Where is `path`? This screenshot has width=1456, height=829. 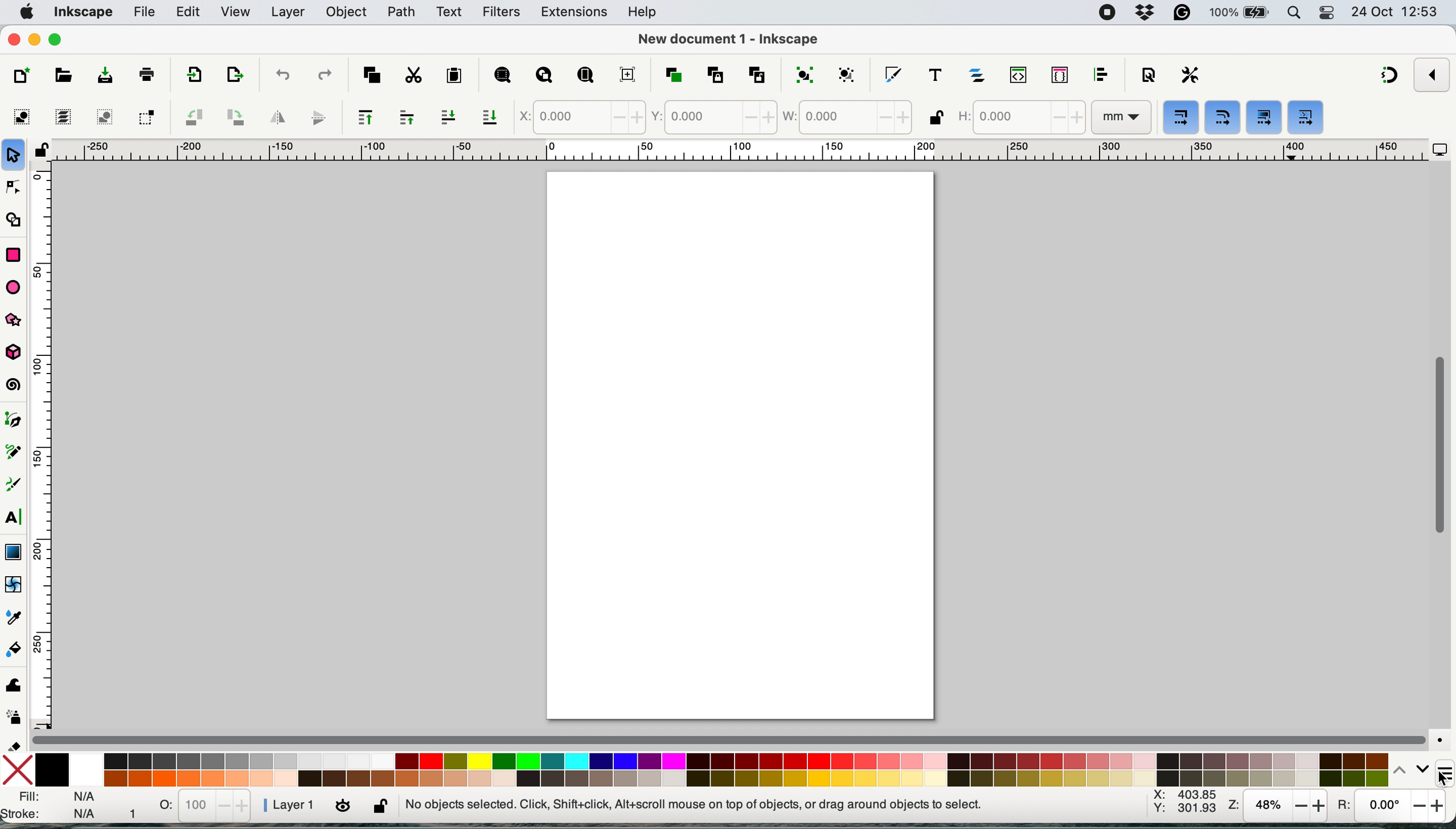
path is located at coordinates (403, 15).